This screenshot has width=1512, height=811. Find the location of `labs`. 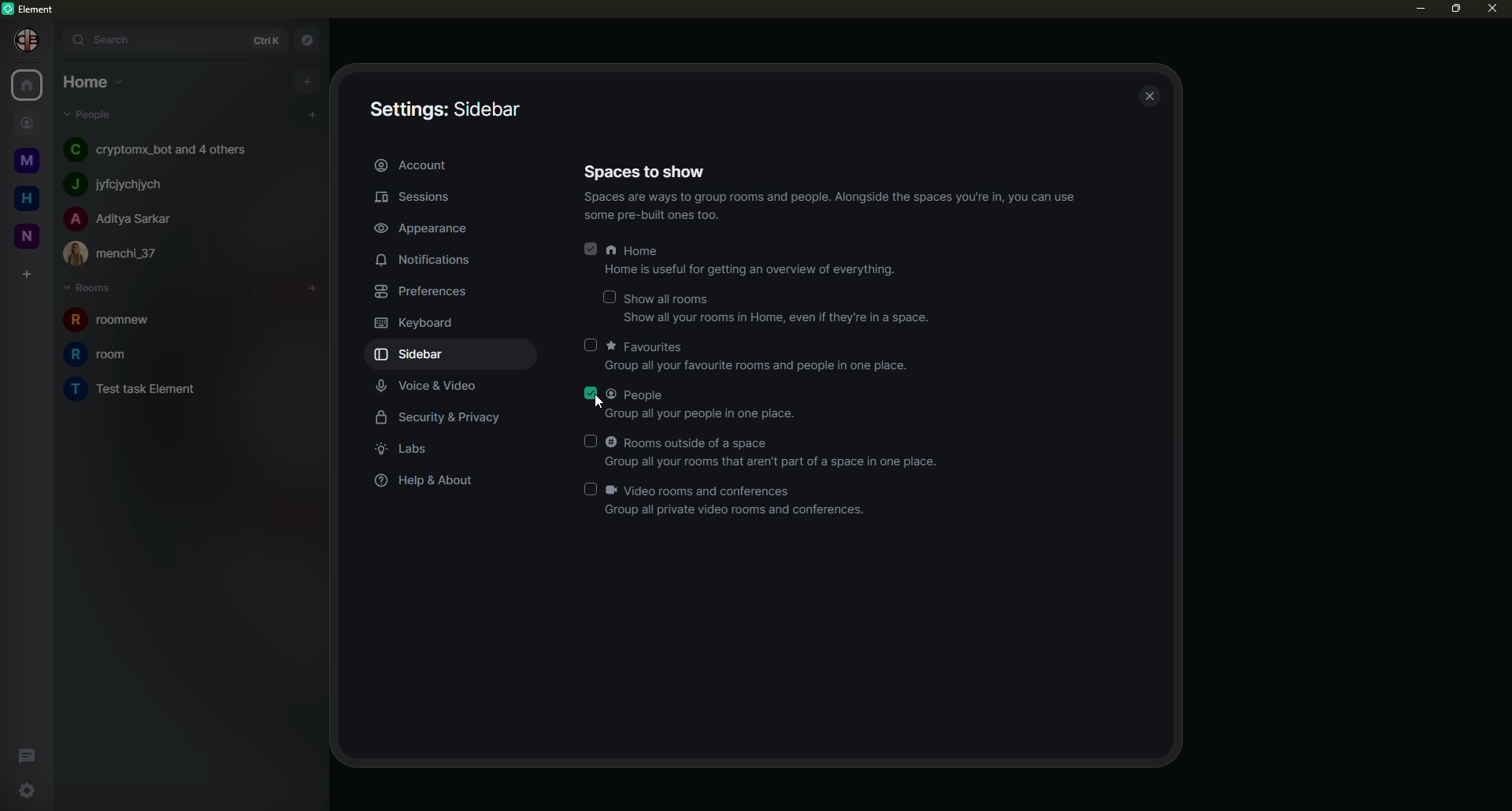

labs is located at coordinates (412, 449).